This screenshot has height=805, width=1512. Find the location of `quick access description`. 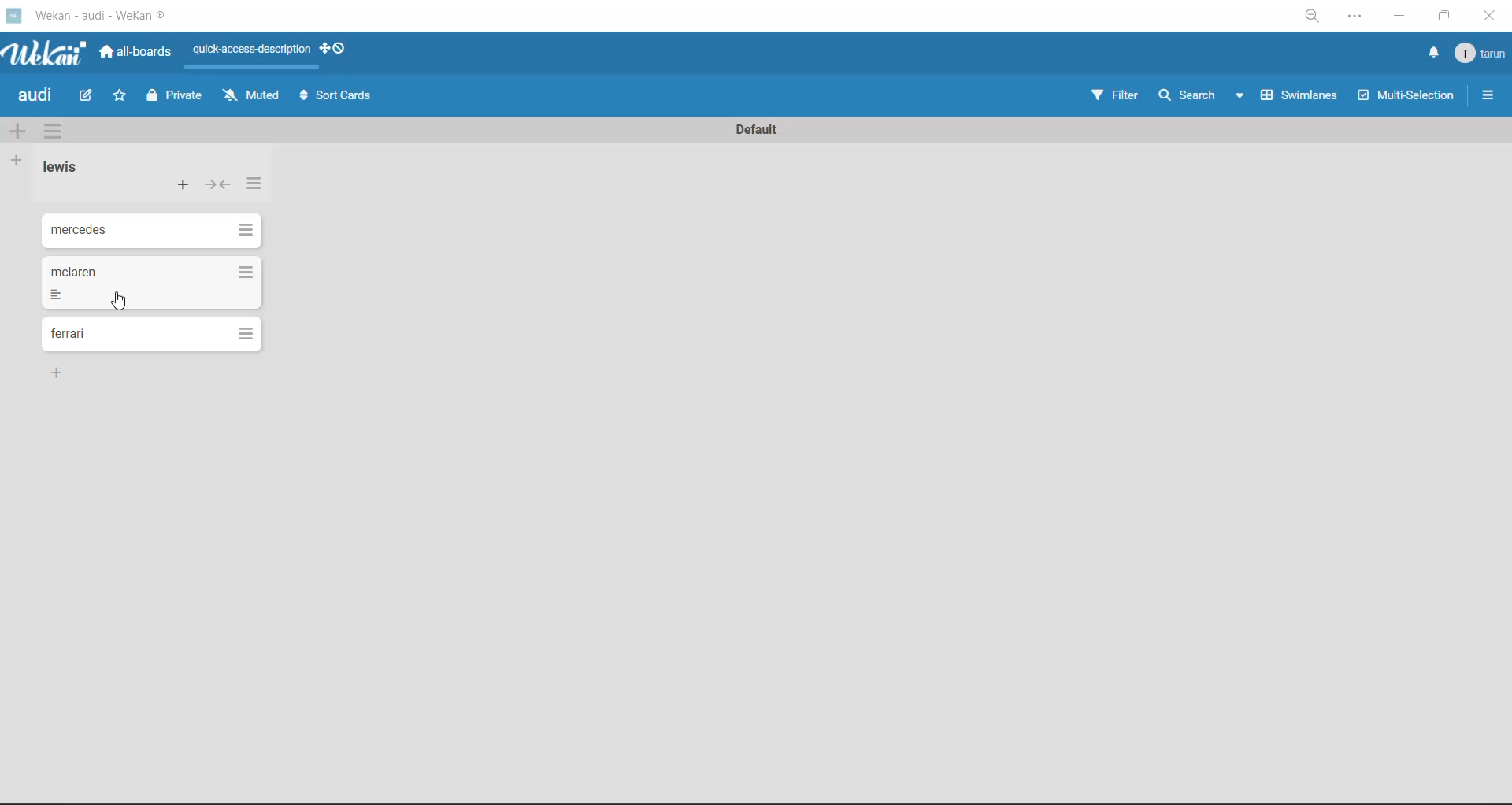

quick access description is located at coordinates (253, 50).